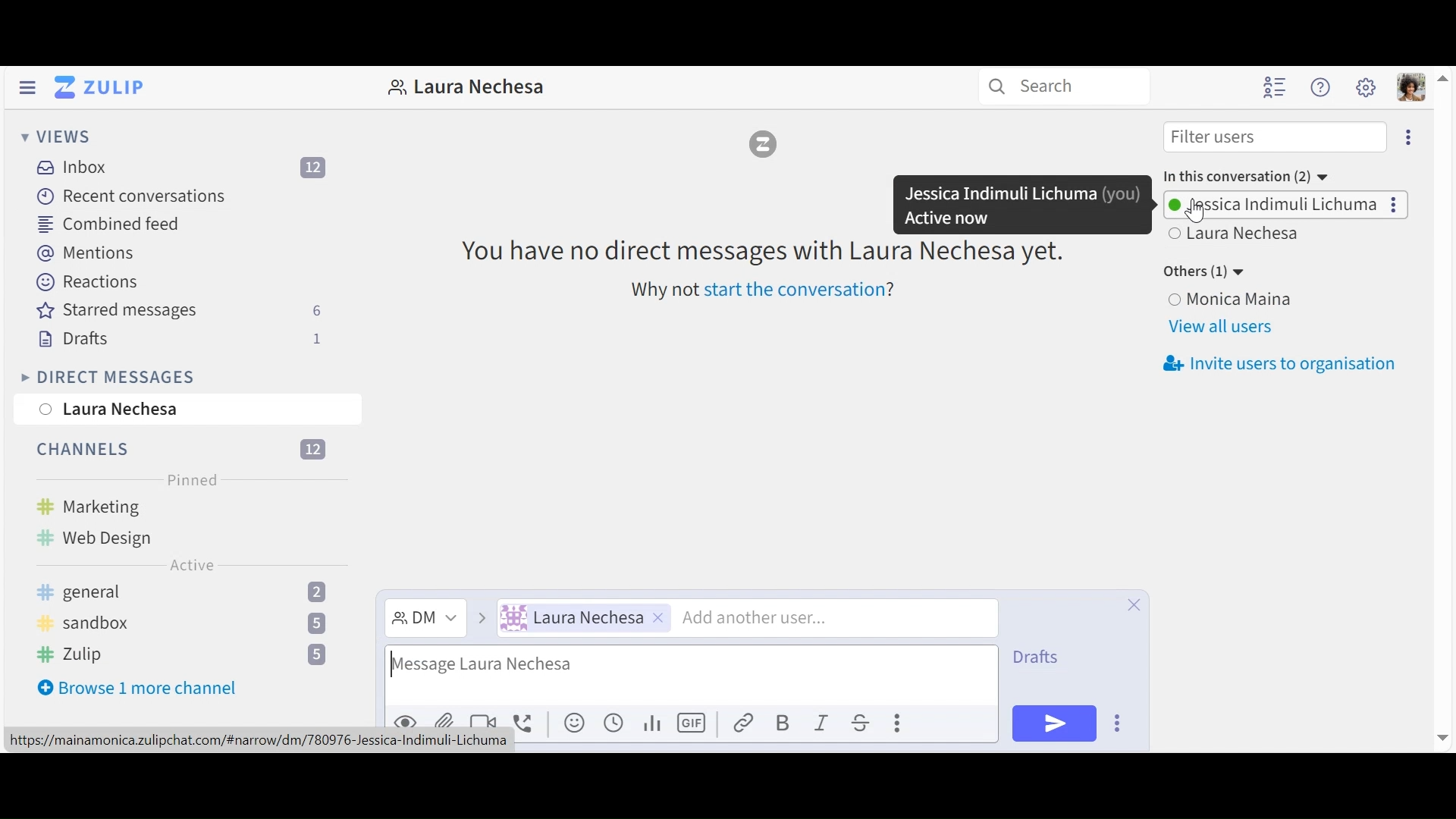 The image size is (1456, 819). What do you see at coordinates (83, 252) in the screenshot?
I see `Mentions` at bounding box center [83, 252].